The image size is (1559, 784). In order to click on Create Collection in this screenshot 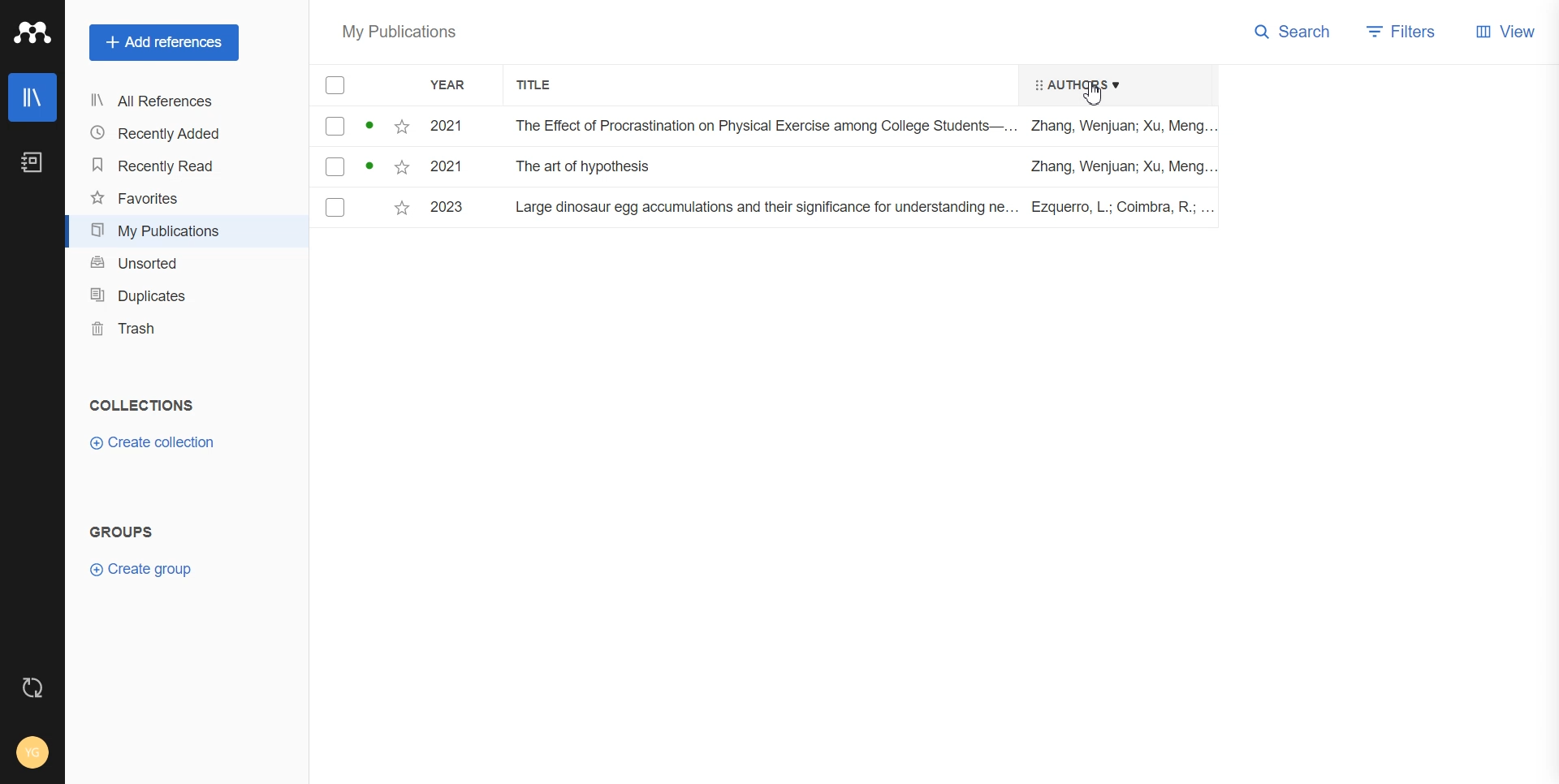, I will do `click(152, 442)`.